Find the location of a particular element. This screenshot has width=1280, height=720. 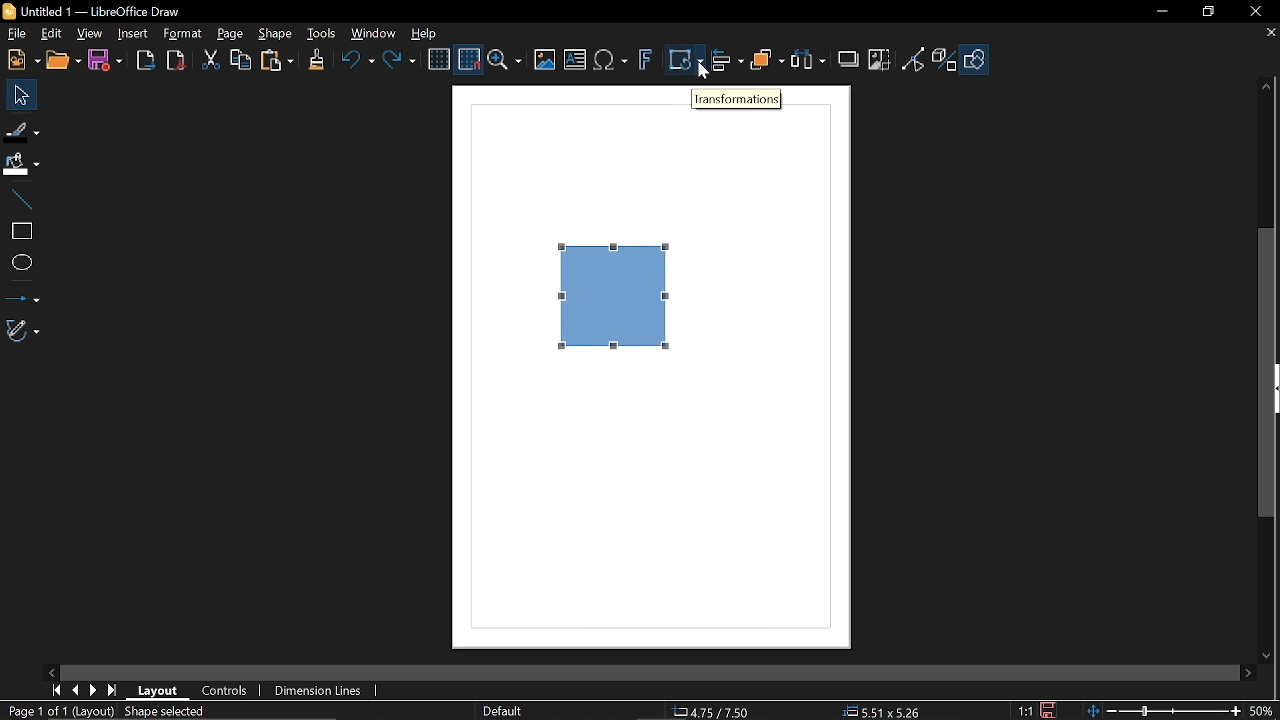

Previous page is located at coordinates (75, 689).